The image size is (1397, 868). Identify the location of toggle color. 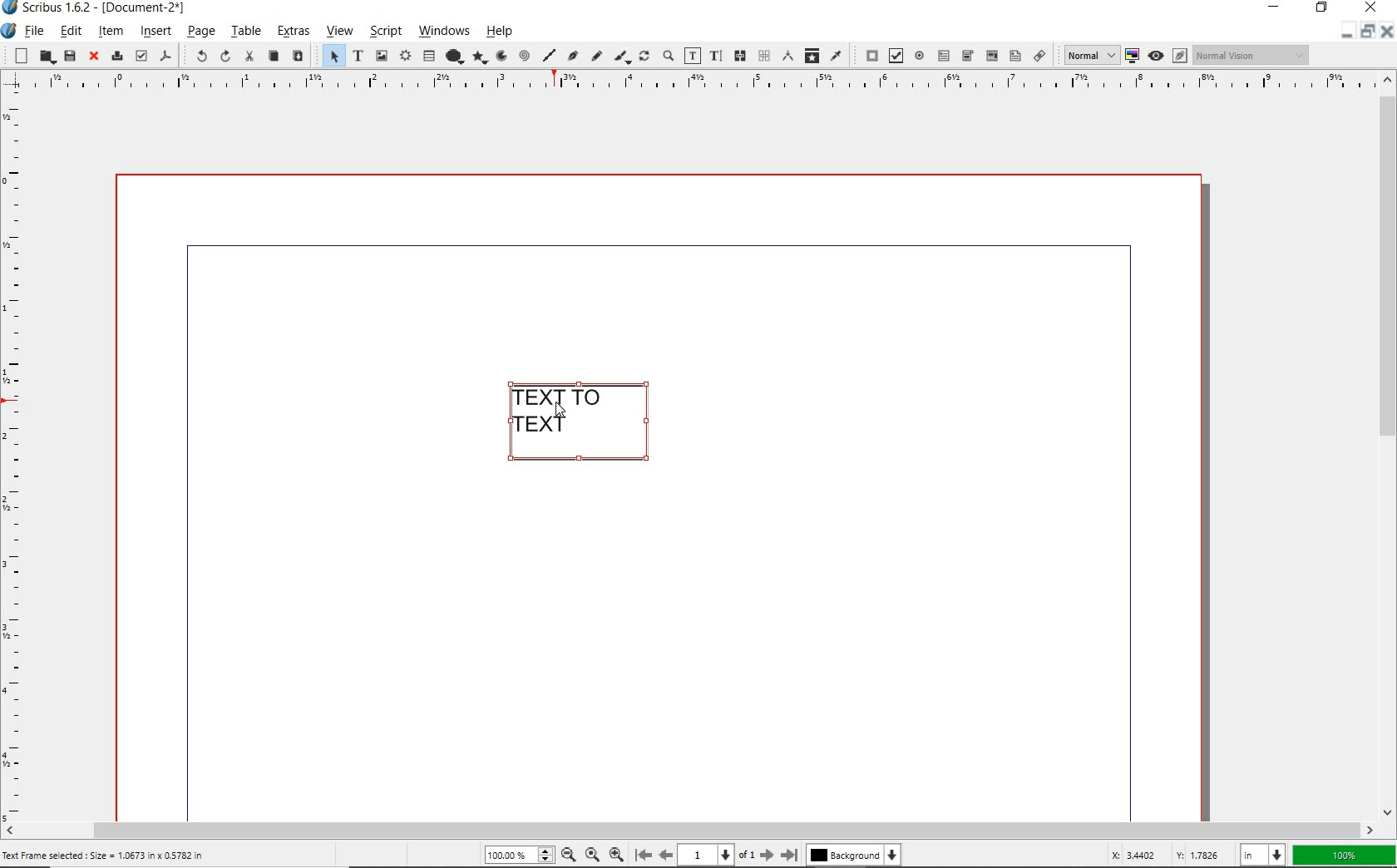
(1134, 55).